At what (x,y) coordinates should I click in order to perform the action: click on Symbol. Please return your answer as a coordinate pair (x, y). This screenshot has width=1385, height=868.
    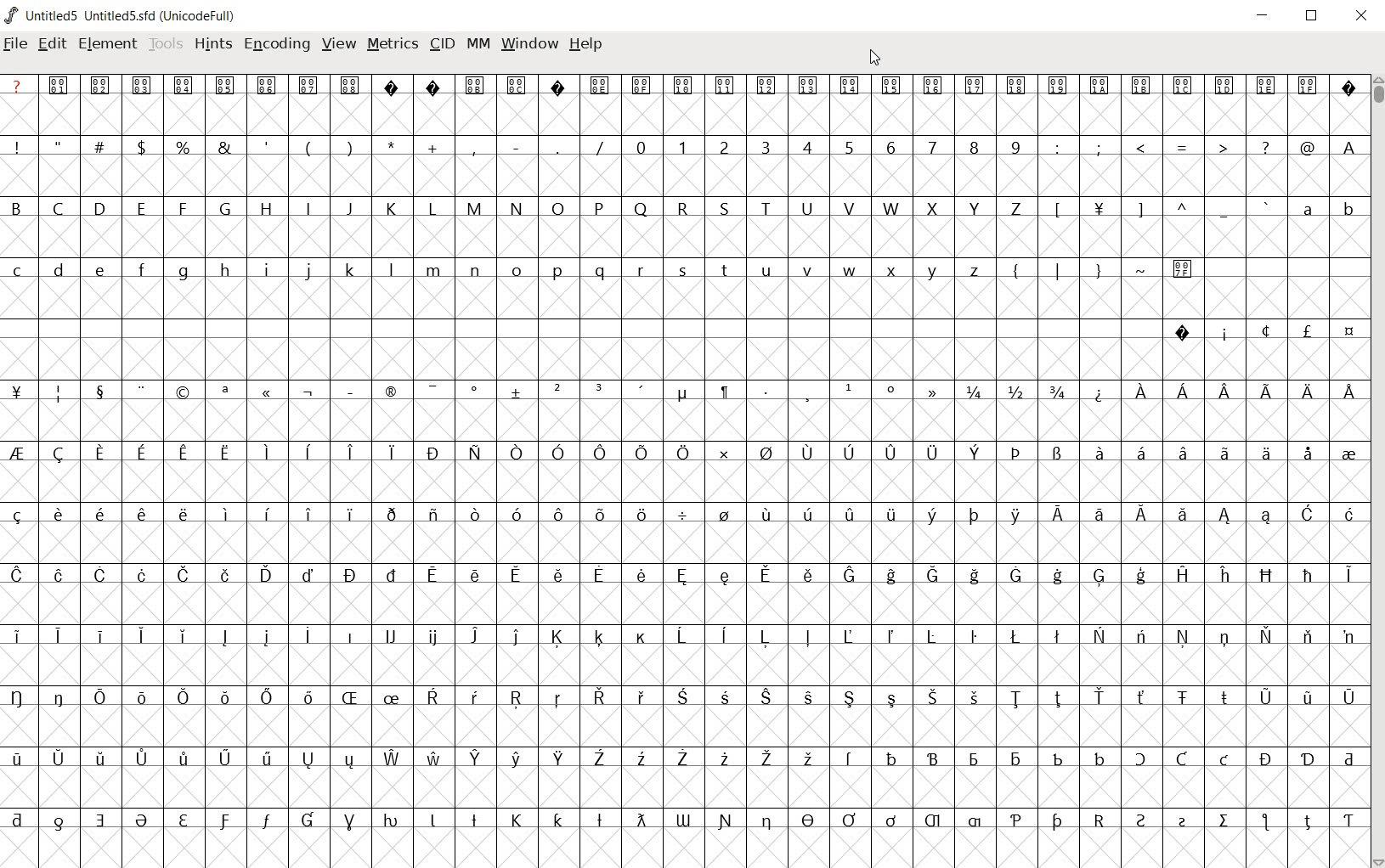
    Looking at the image, I should click on (1307, 453).